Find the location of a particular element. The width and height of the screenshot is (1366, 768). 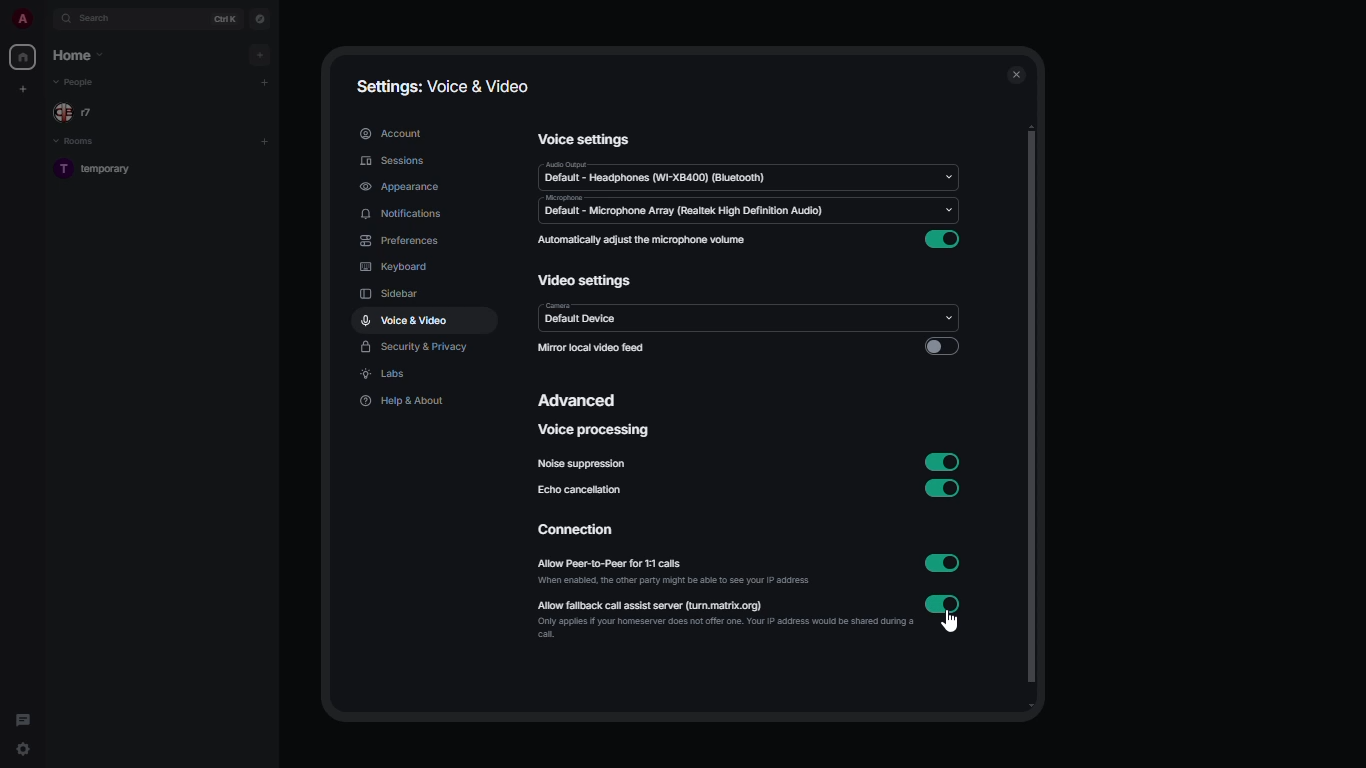

rooms is located at coordinates (83, 140).